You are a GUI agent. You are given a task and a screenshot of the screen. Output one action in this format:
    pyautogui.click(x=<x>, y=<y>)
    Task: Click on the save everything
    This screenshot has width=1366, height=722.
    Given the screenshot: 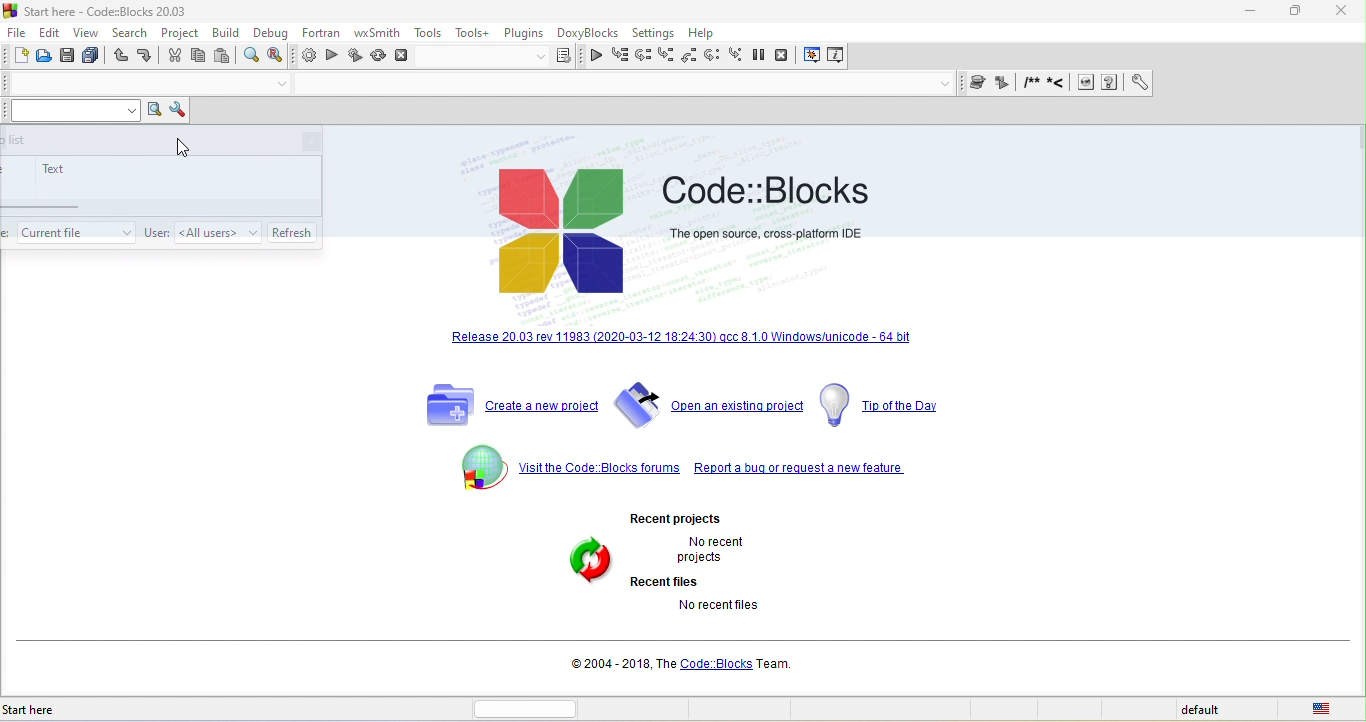 What is the action you would take?
    pyautogui.click(x=93, y=56)
    